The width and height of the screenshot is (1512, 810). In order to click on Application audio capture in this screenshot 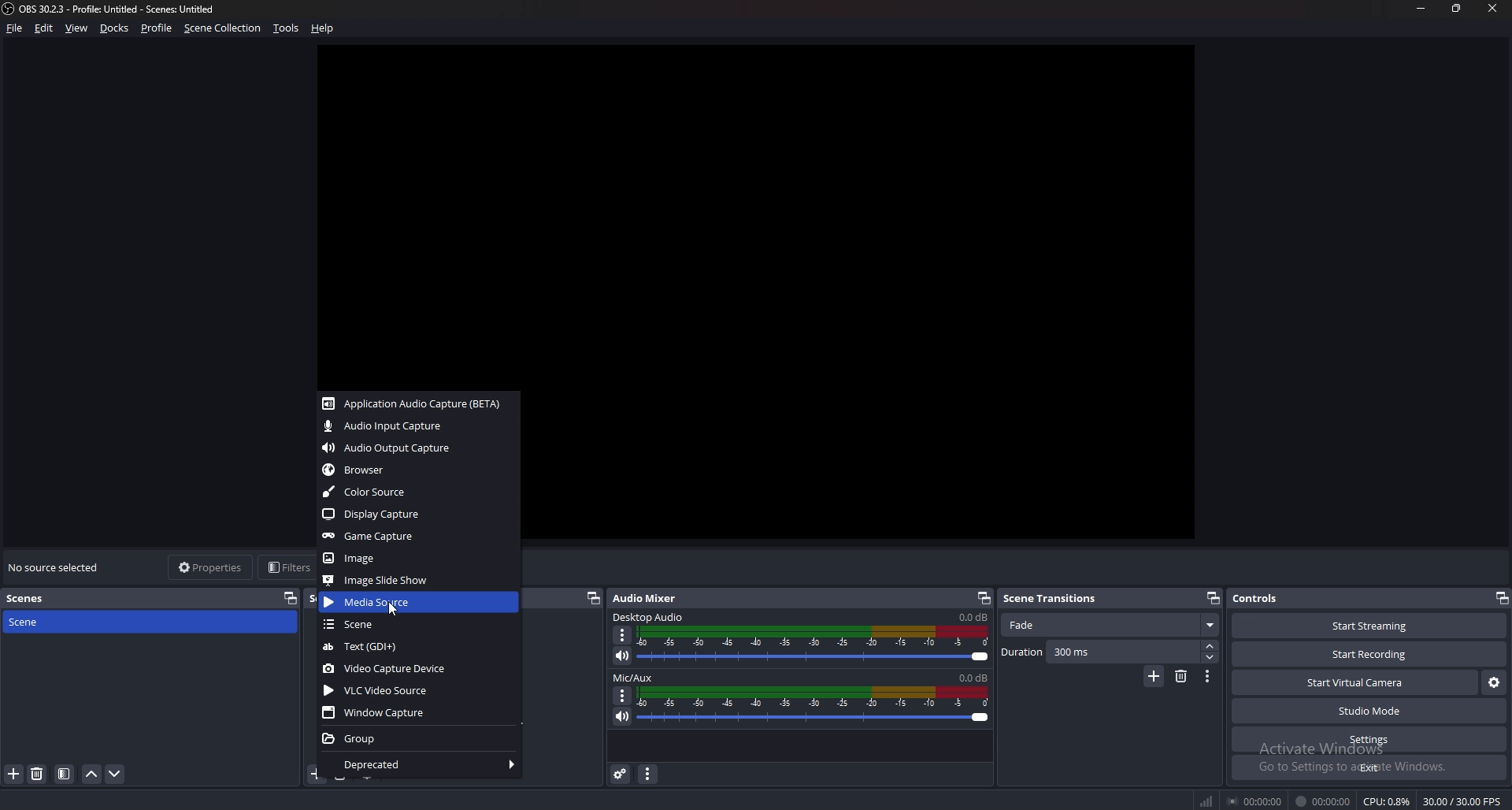, I will do `click(415, 403)`.